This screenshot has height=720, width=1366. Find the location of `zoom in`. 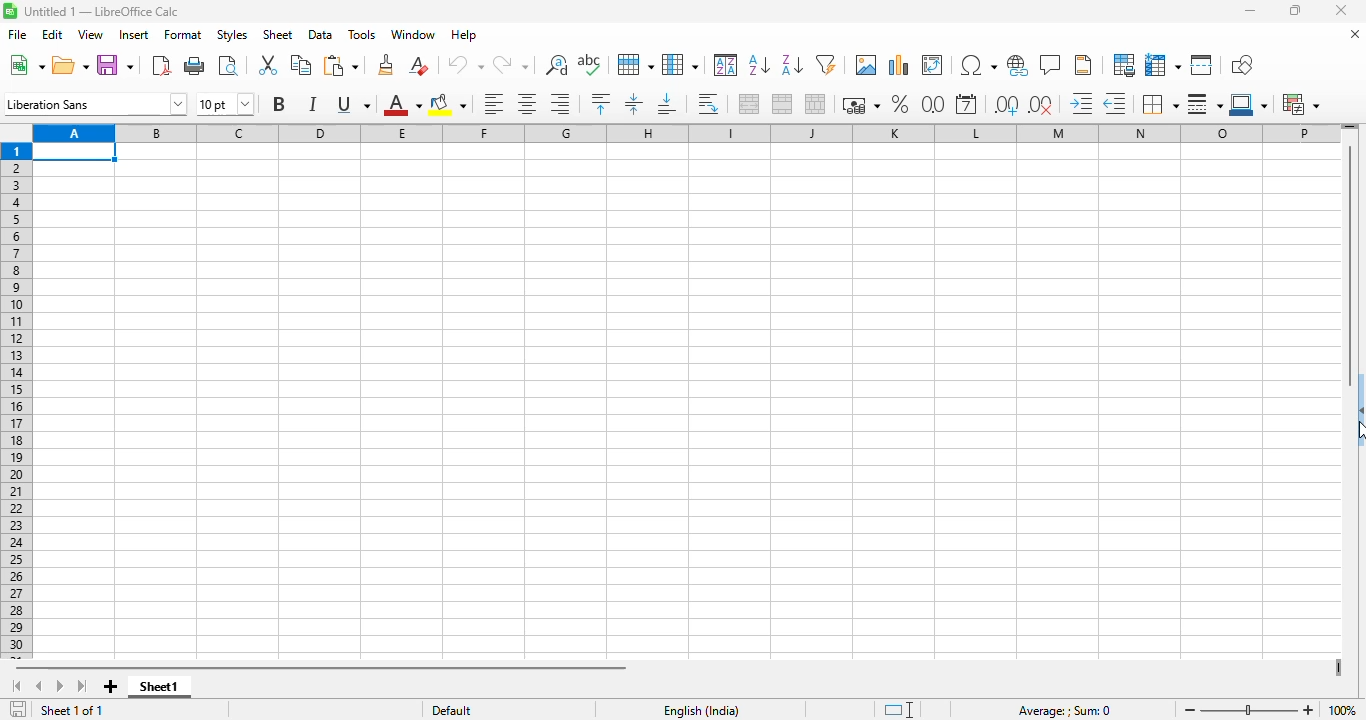

zoom in is located at coordinates (1308, 710).